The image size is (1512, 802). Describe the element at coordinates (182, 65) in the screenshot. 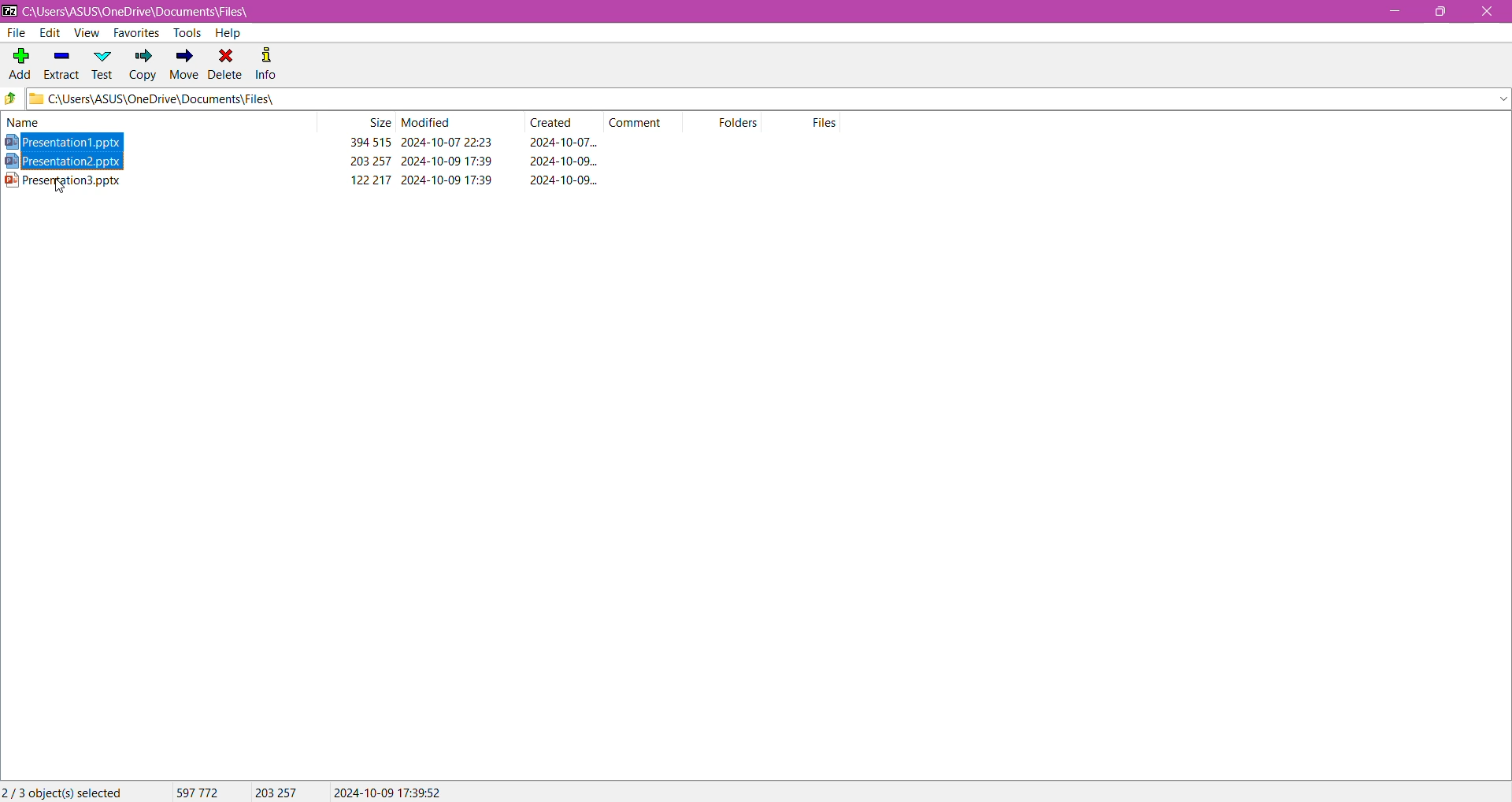

I see `Move` at that location.